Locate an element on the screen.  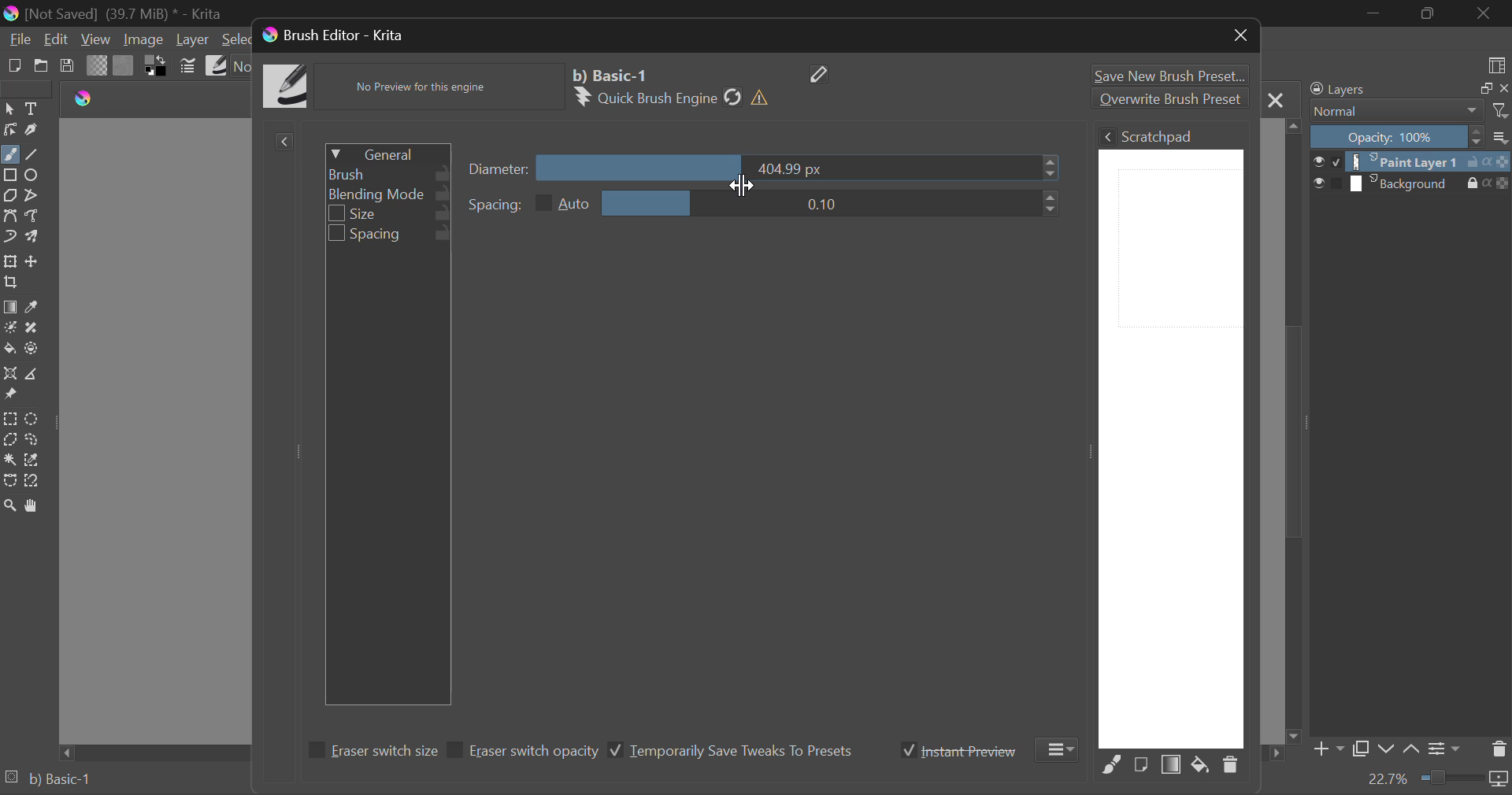
Fill area with current Image is located at coordinates (1140, 765).